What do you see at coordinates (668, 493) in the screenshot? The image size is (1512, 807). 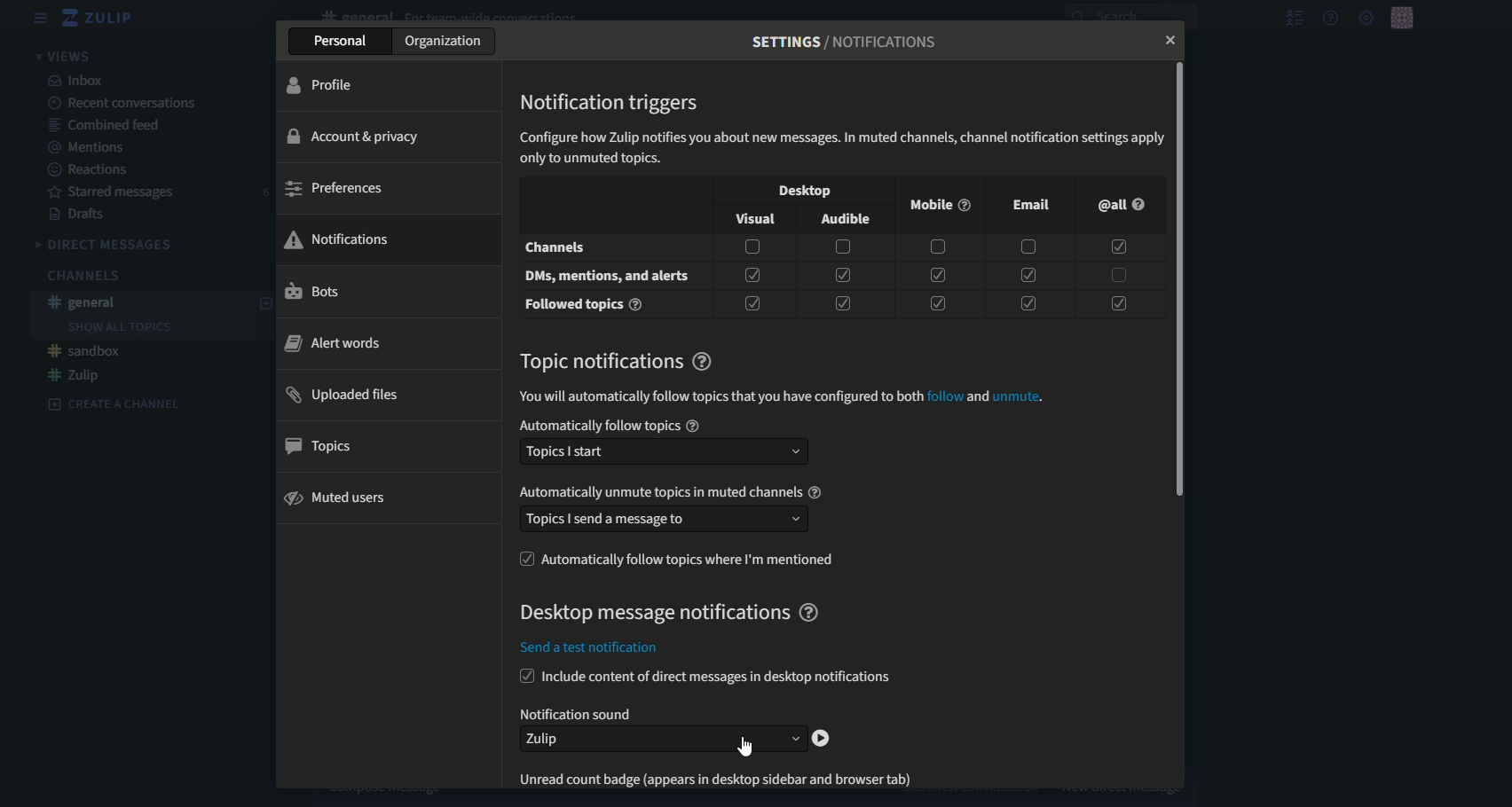 I see `text` at bounding box center [668, 493].